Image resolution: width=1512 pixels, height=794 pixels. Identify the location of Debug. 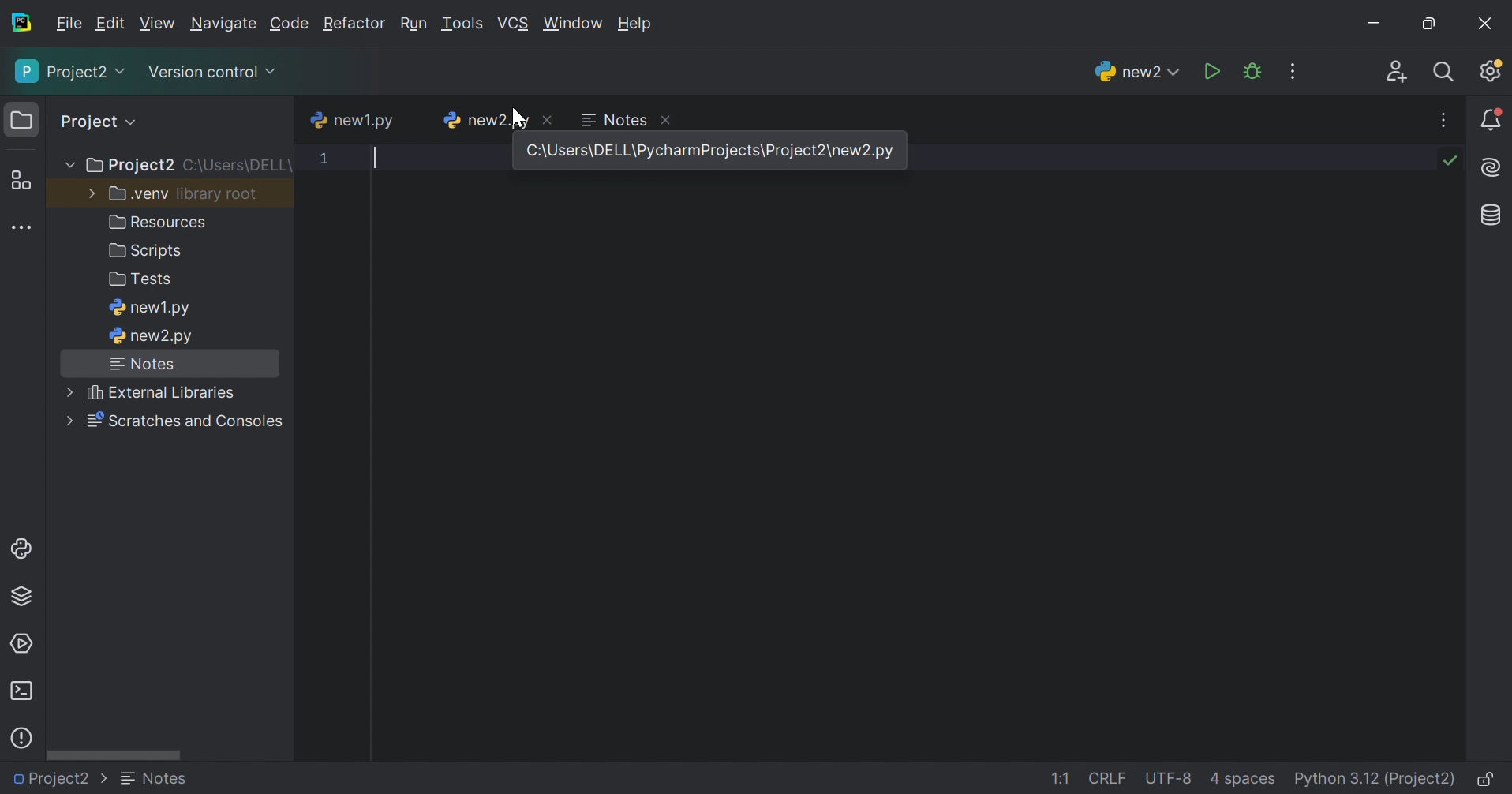
(1252, 71).